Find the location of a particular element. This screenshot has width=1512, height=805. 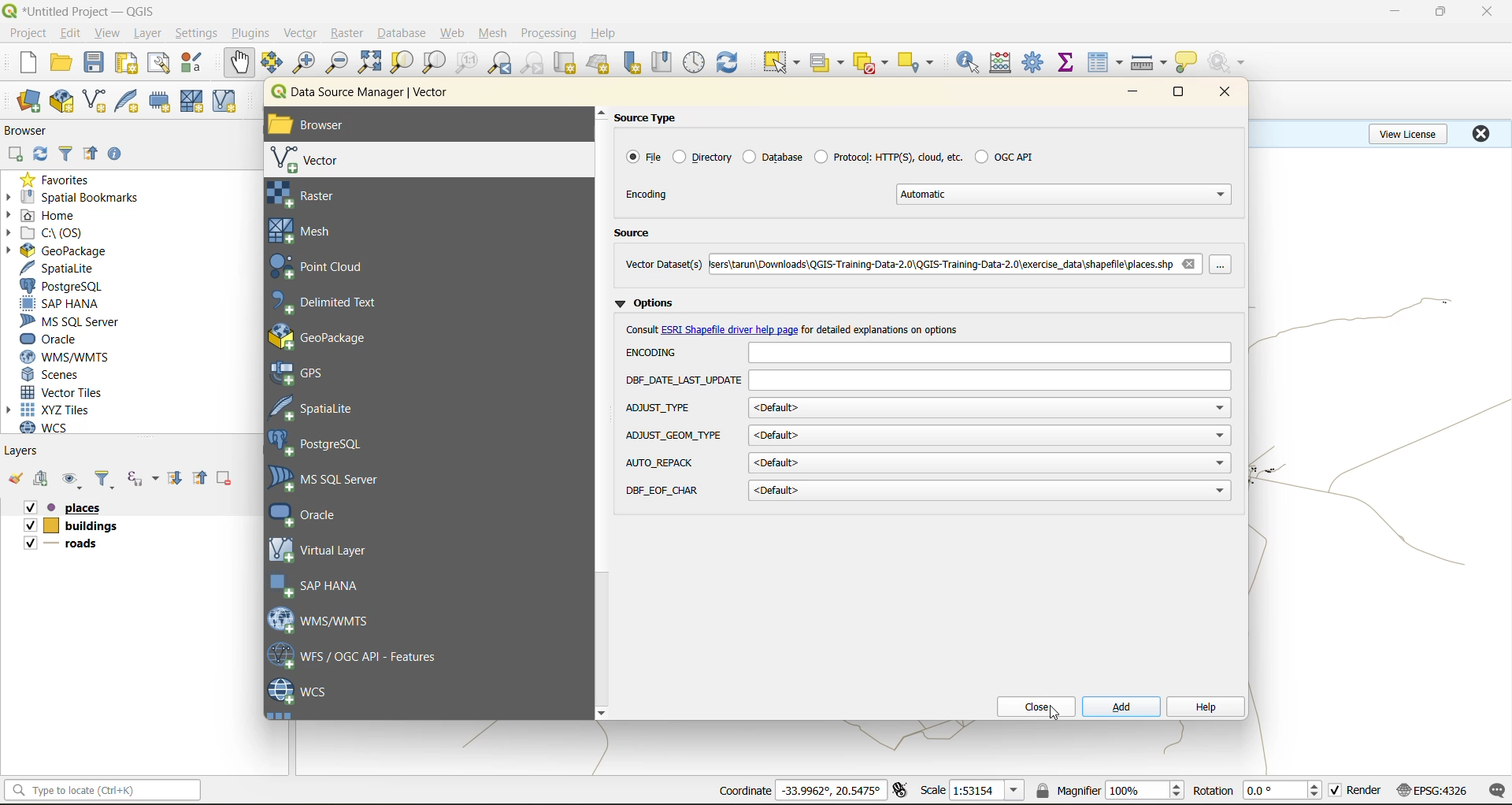

new spatial bookmark is located at coordinates (633, 63).